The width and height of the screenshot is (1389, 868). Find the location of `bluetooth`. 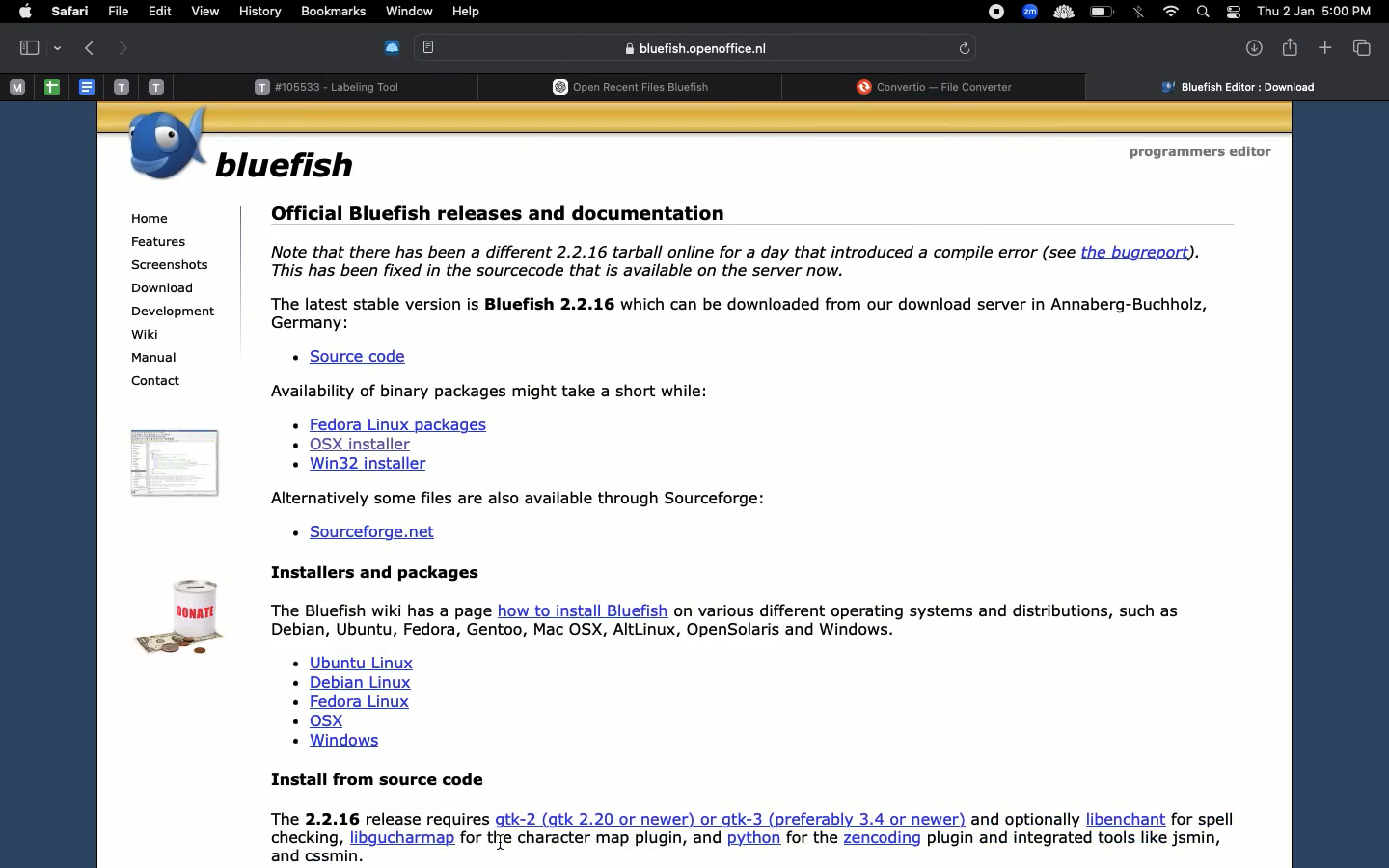

bluetooth is located at coordinates (1142, 13).